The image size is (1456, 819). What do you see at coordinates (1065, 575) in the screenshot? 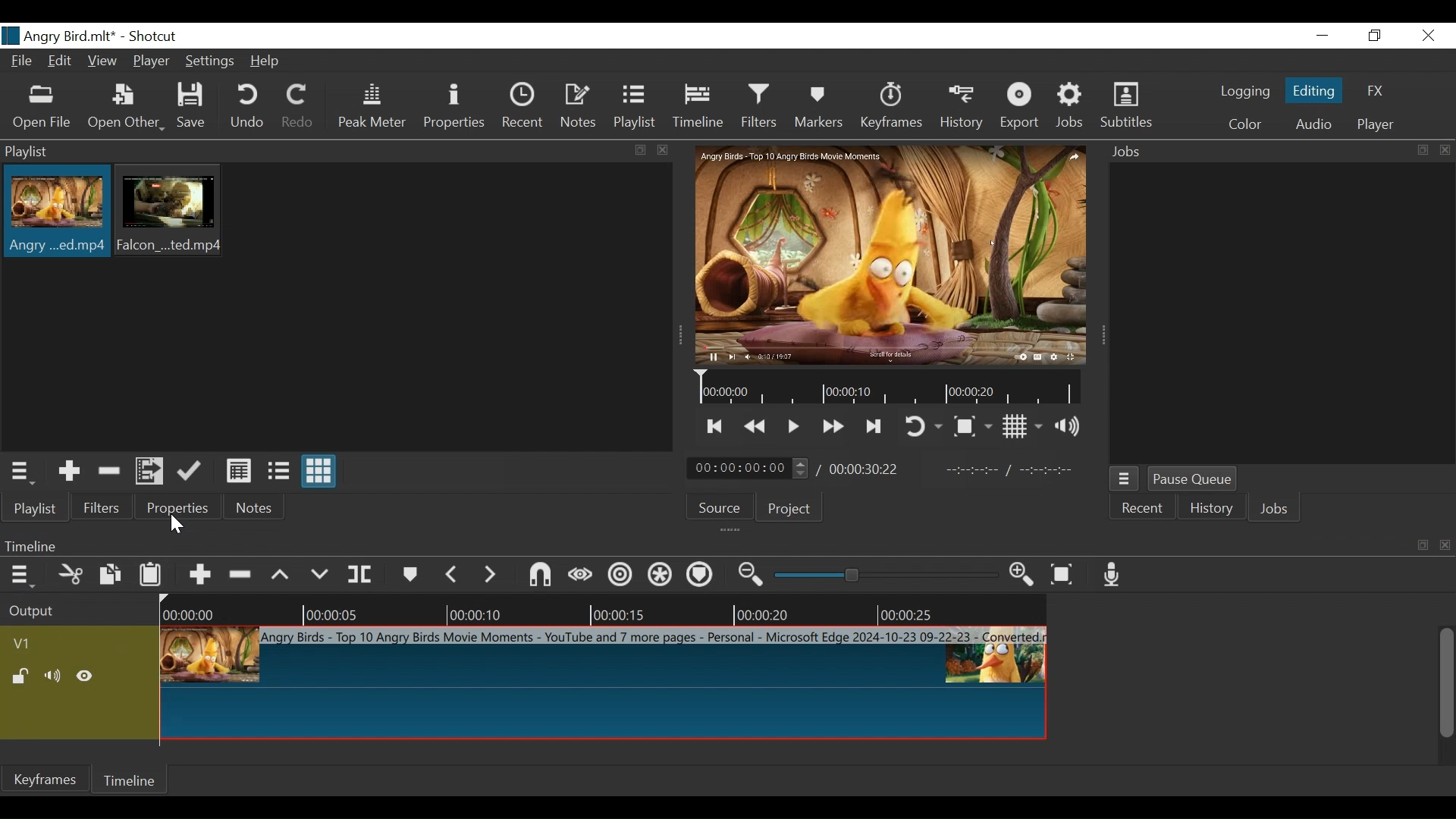
I see `Zoom timeline to fit` at bounding box center [1065, 575].